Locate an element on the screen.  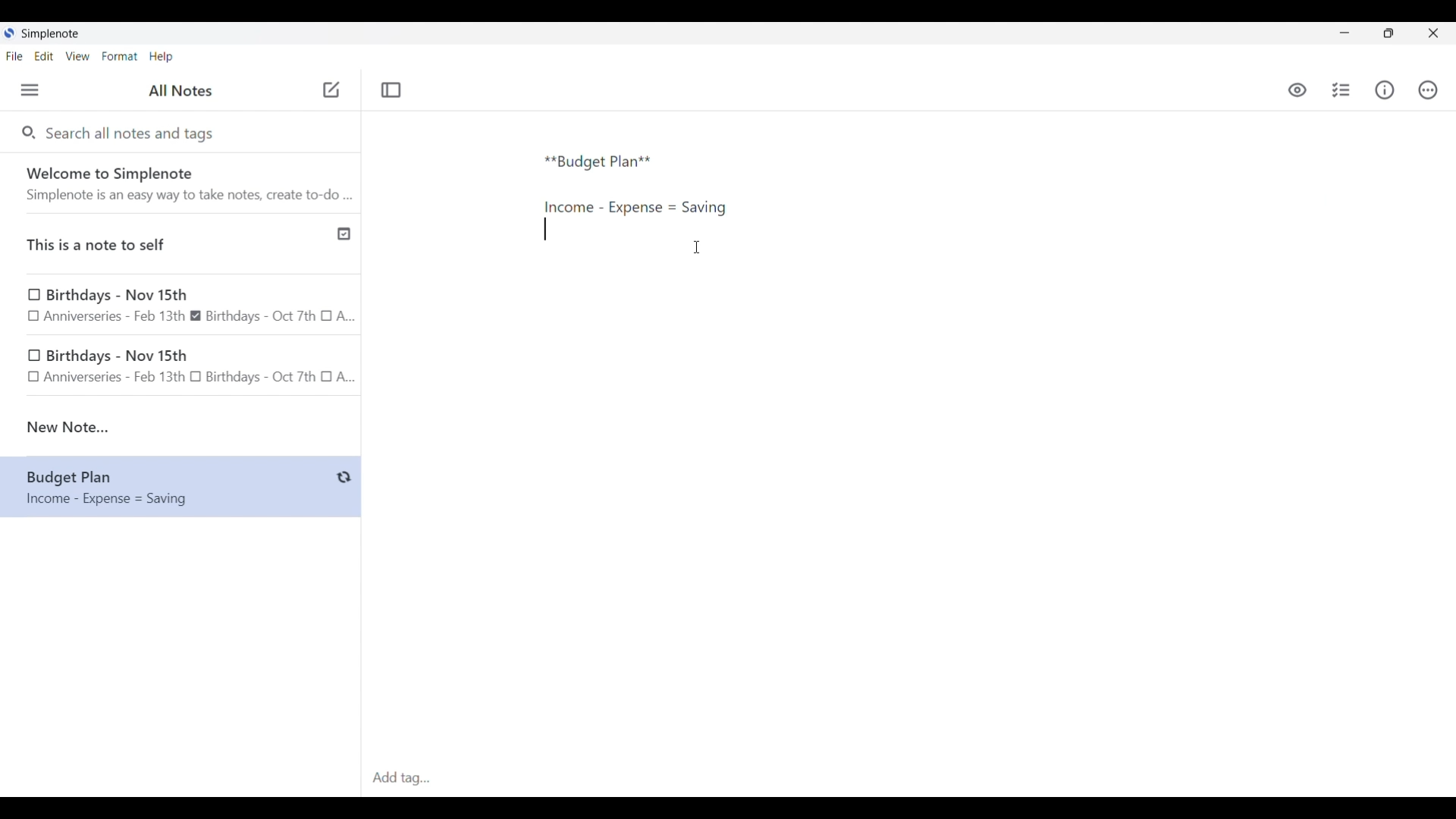
Close interface is located at coordinates (1433, 33).